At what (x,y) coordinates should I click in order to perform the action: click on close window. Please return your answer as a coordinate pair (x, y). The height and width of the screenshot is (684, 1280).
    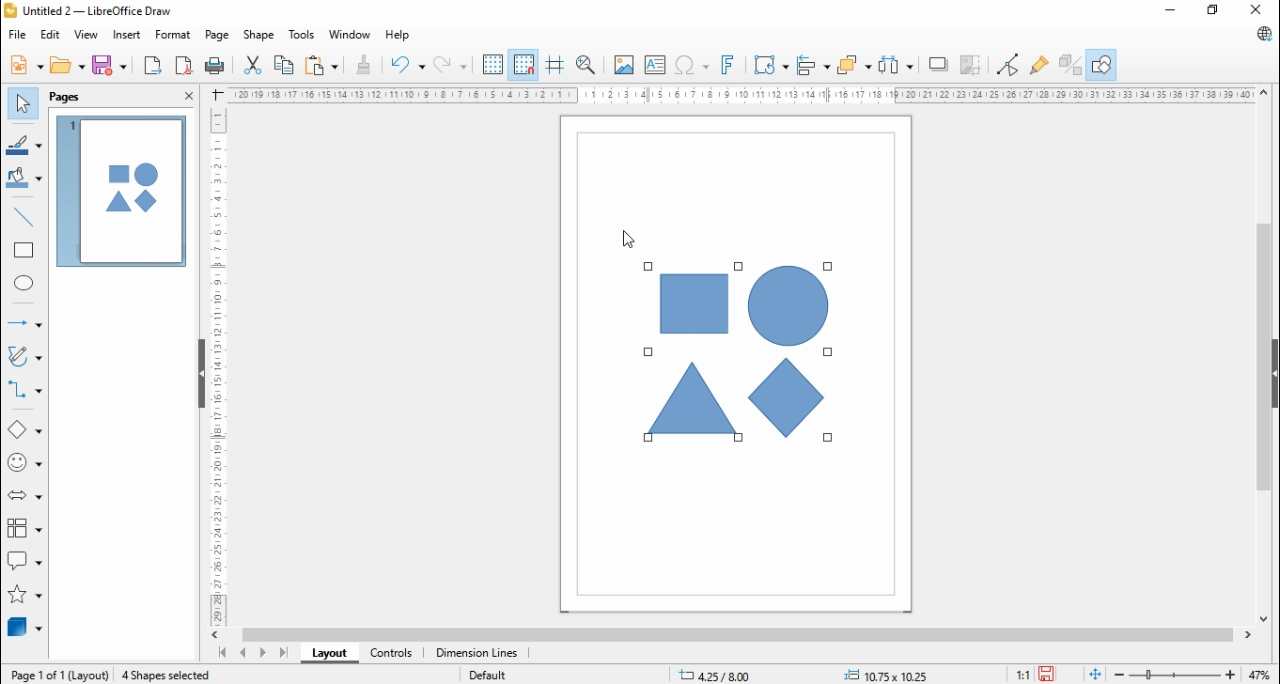
    Looking at the image, I should click on (1260, 9).